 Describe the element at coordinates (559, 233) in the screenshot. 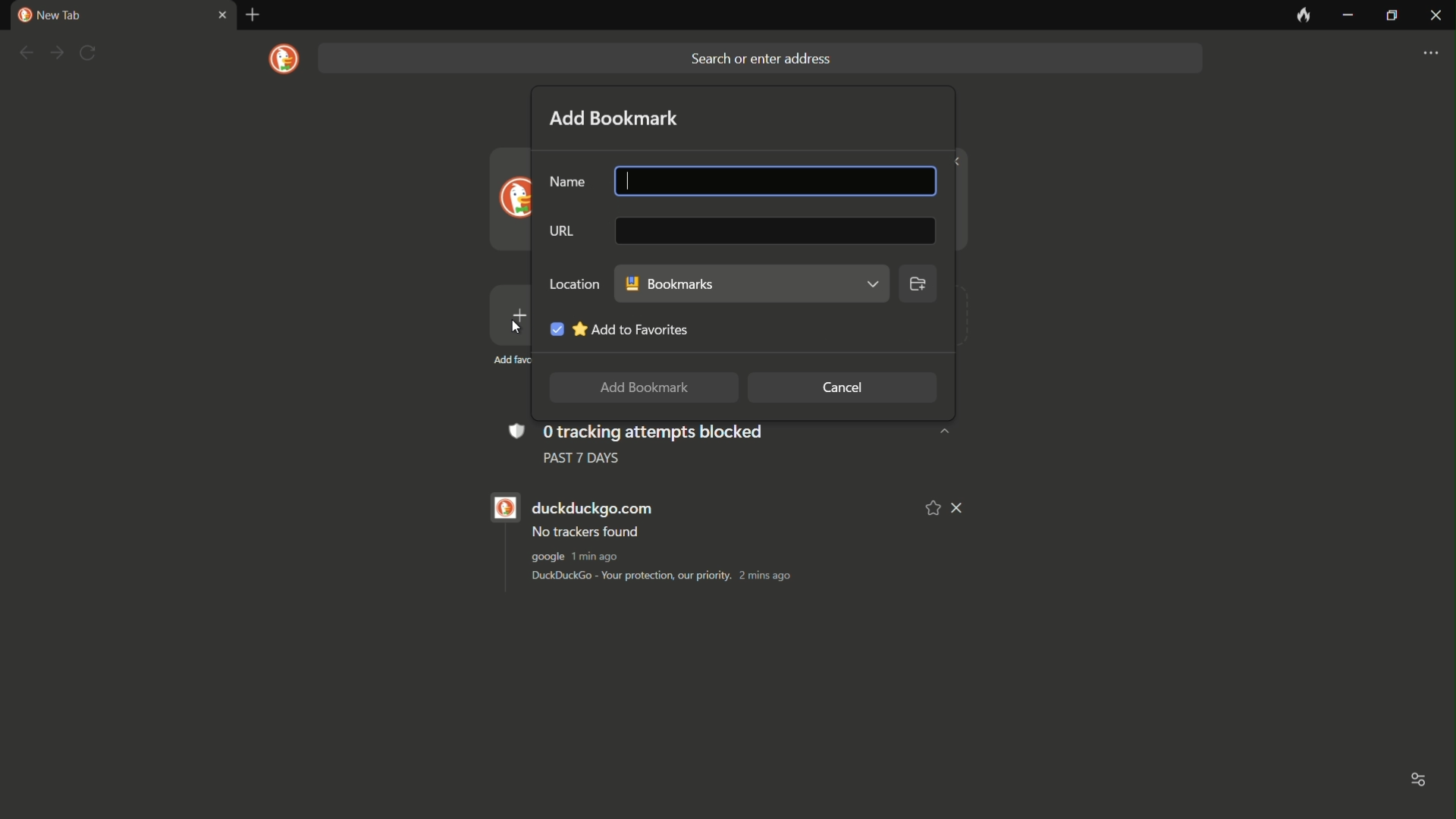

I see `URL` at that location.